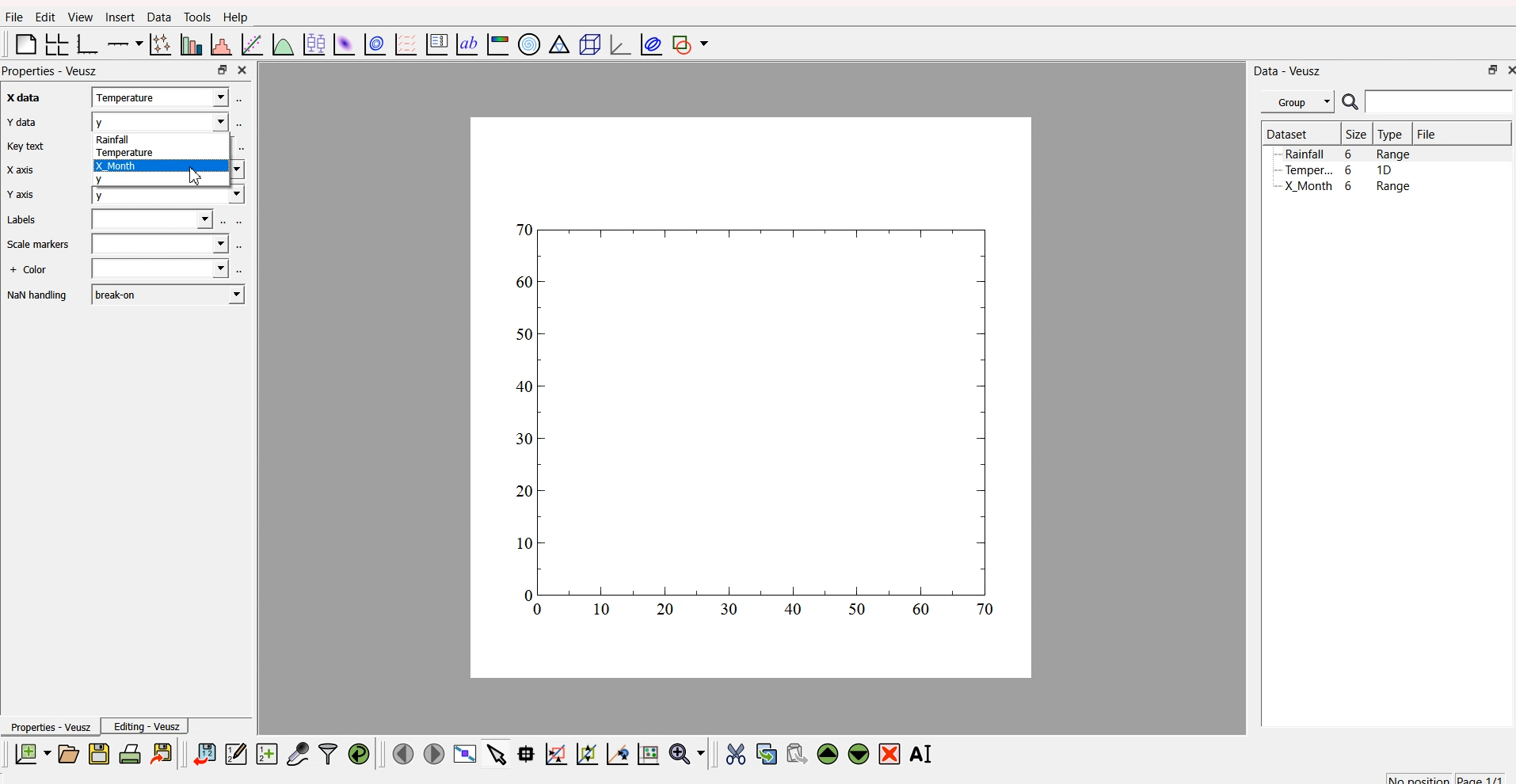 The width and height of the screenshot is (1516, 784). Describe the element at coordinates (586, 44) in the screenshot. I see `3D scene` at that location.